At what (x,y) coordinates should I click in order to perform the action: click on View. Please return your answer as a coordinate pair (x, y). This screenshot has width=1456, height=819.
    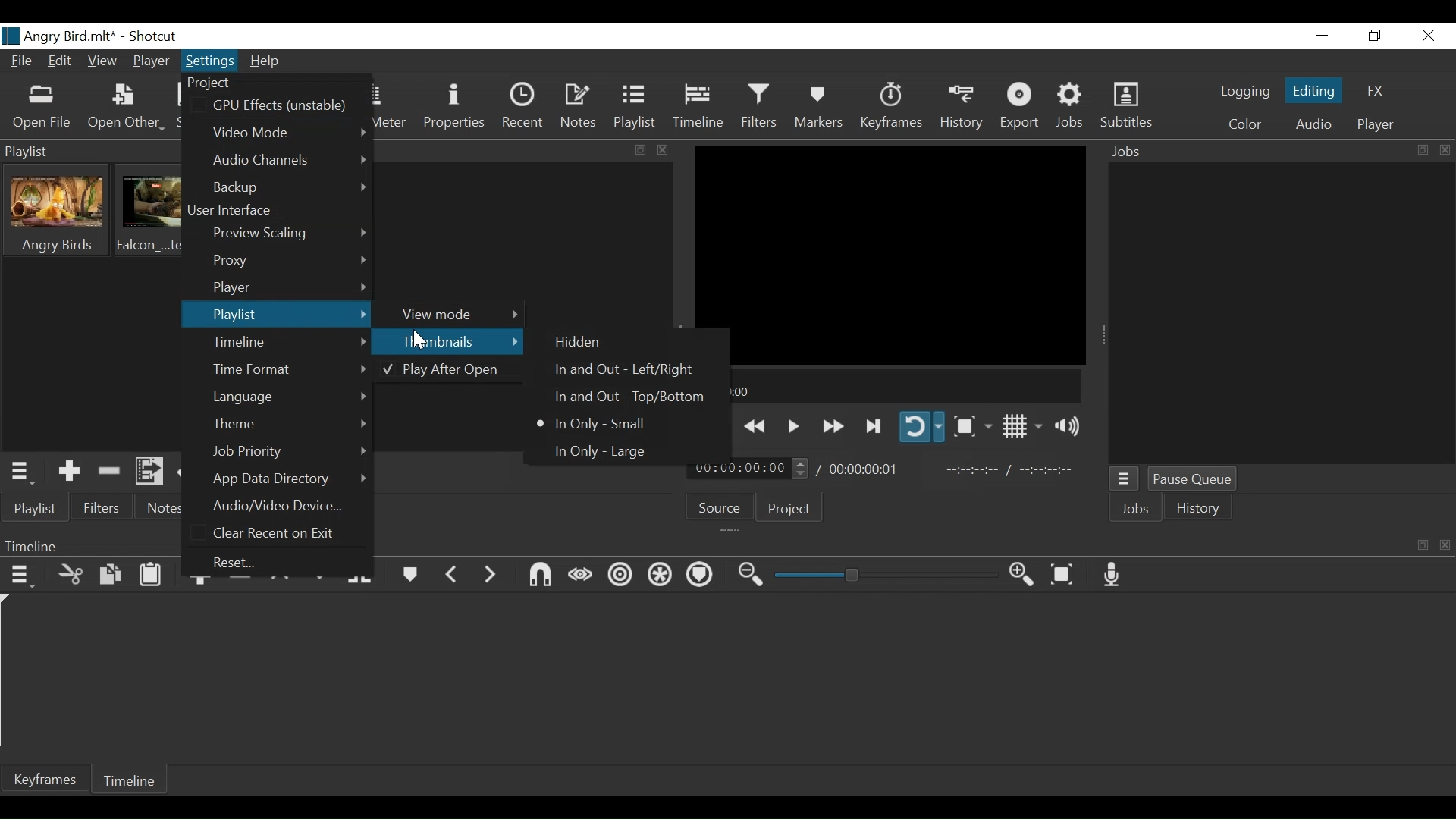
    Looking at the image, I should click on (102, 61).